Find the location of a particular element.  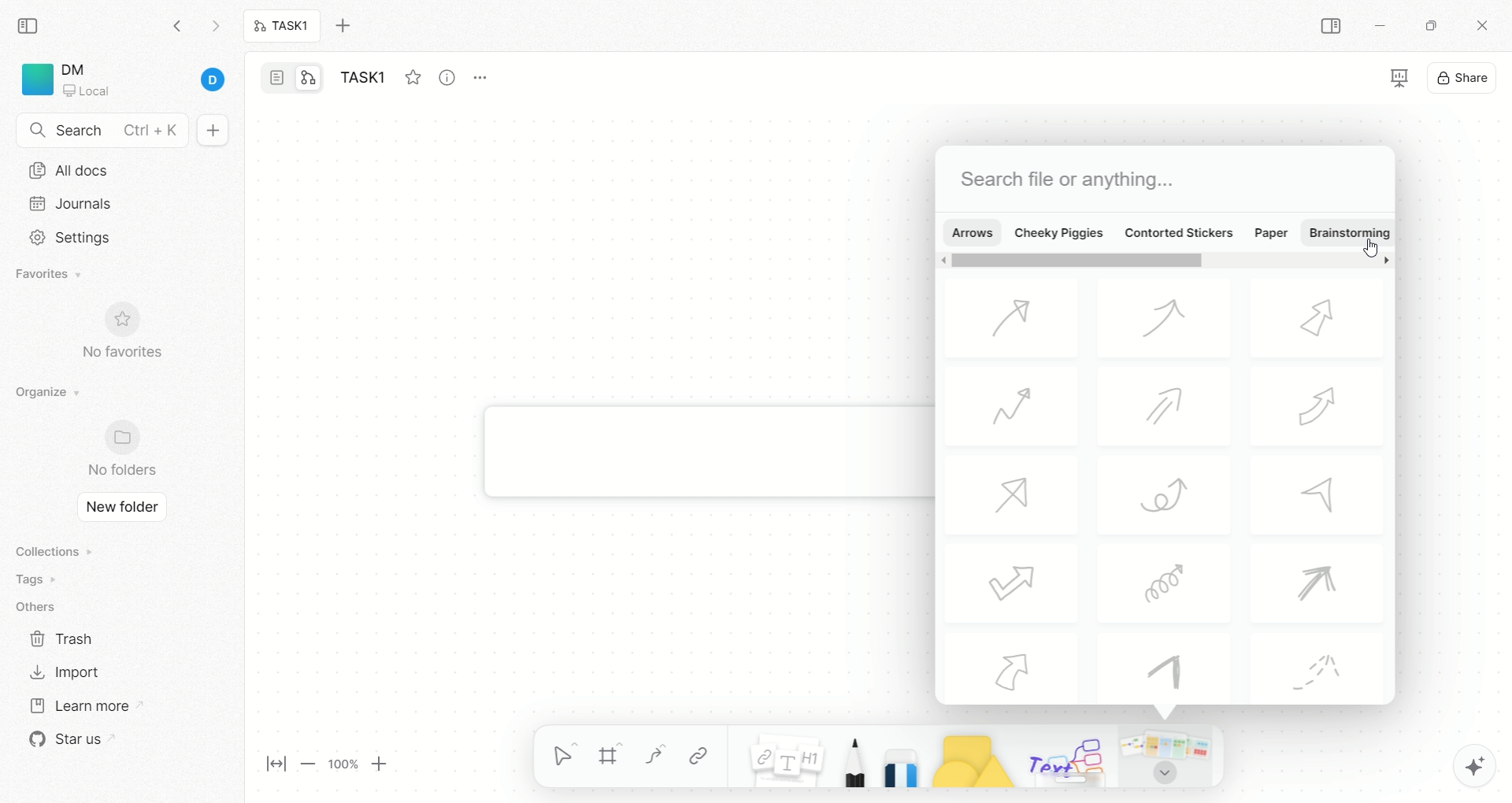

favorites is located at coordinates (412, 75).